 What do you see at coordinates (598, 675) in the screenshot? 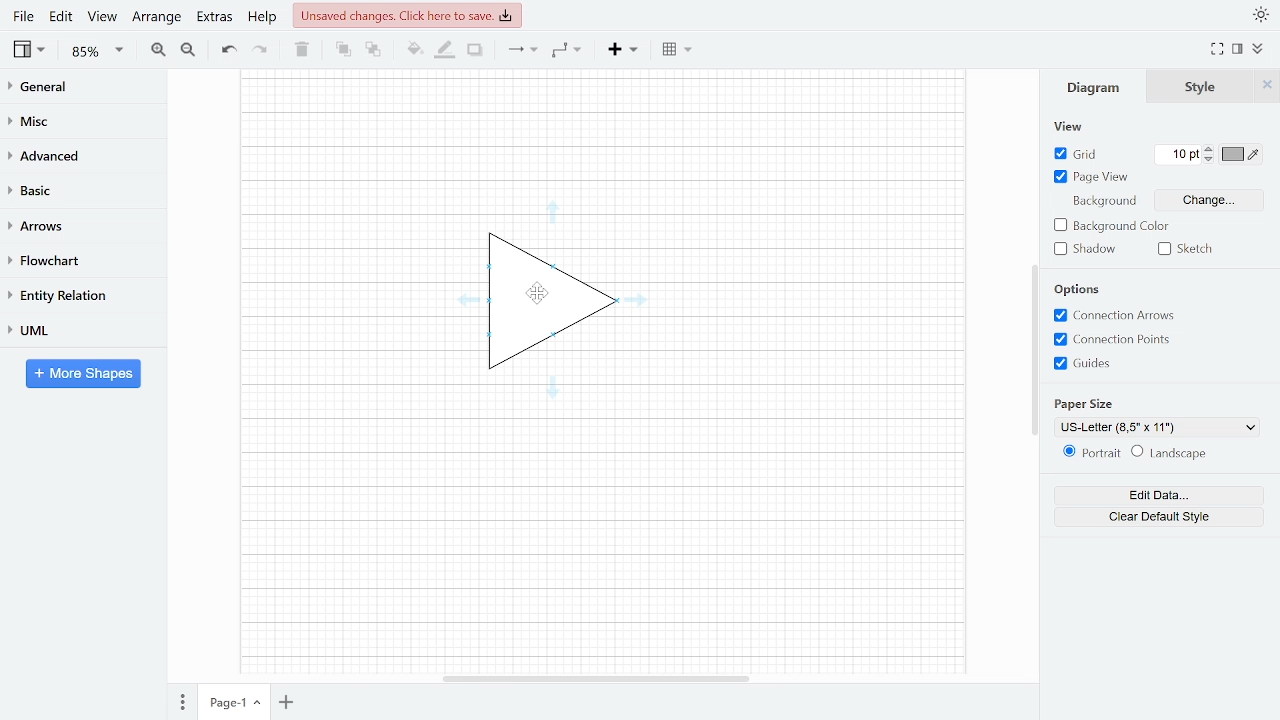
I see `Horizontal scrollbar` at bounding box center [598, 675].